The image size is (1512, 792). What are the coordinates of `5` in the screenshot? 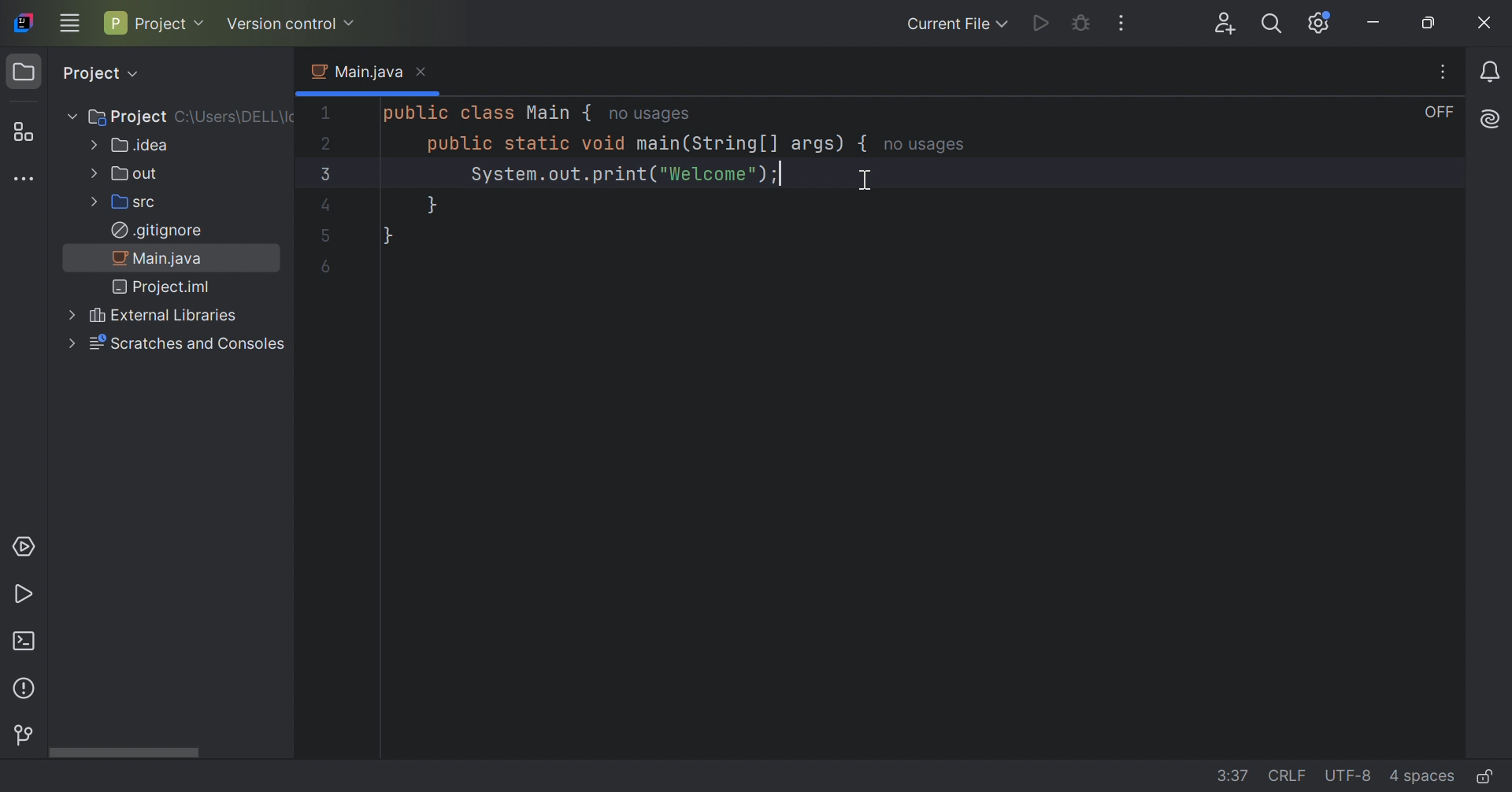 It's located at (325, 238).